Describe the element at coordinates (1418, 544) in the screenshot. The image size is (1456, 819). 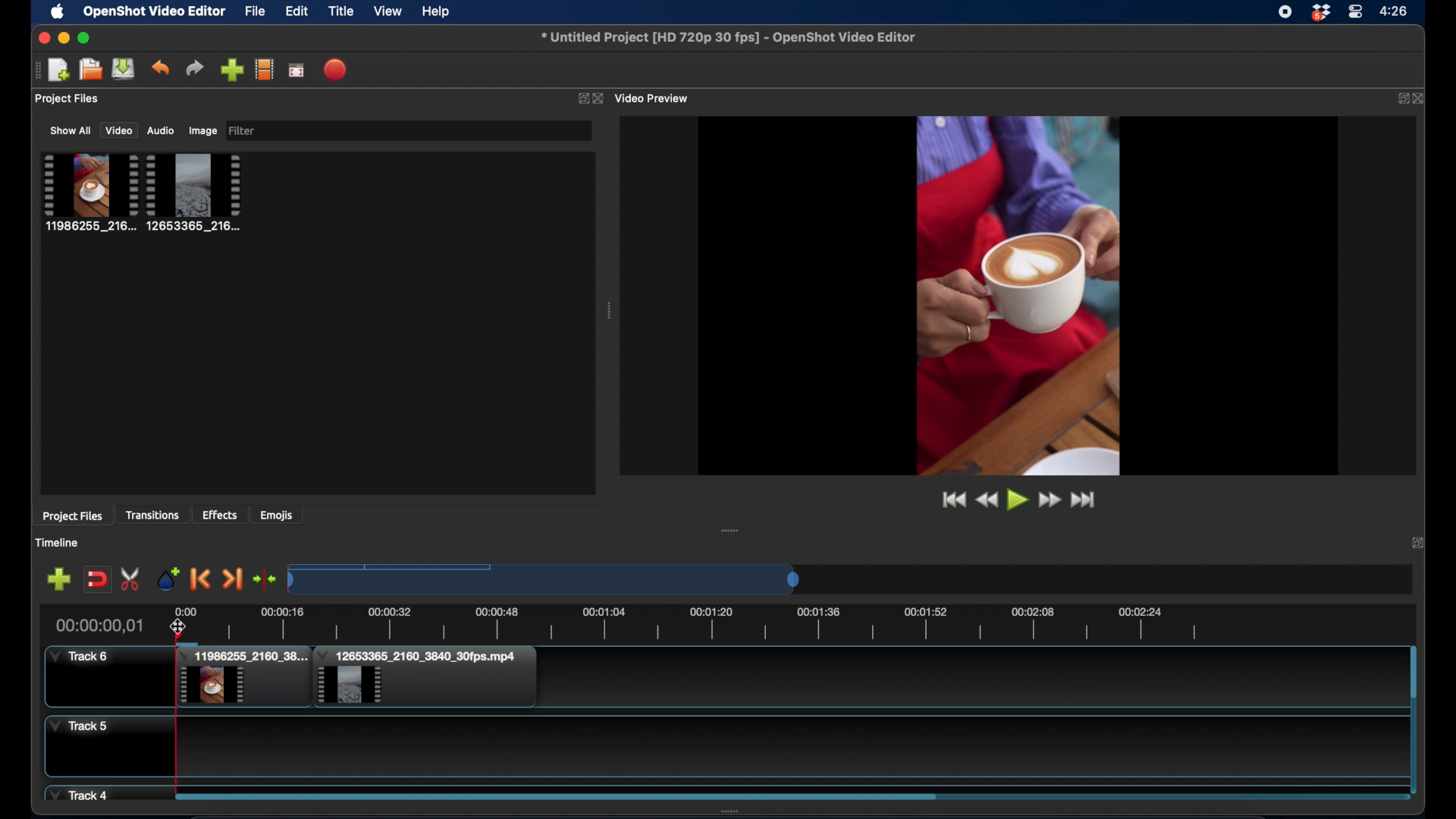
I see `expand` at that location.